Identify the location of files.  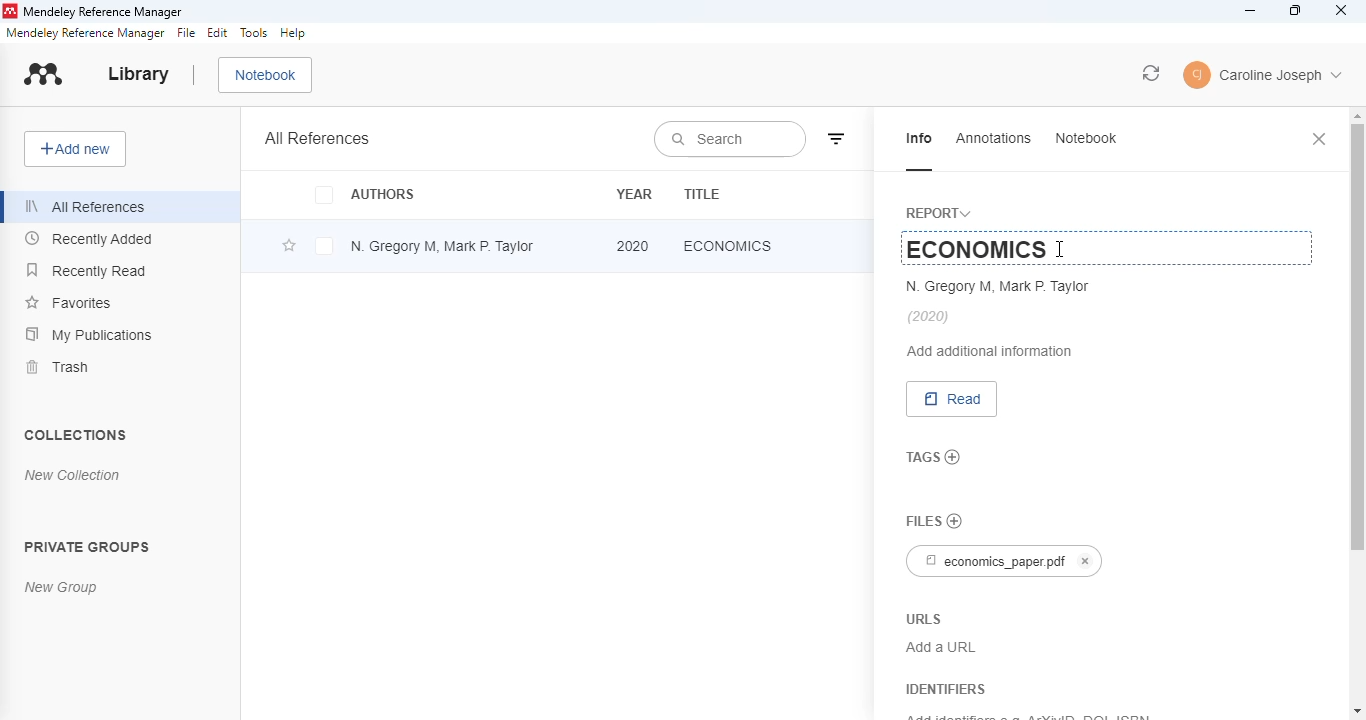
(922, 521).